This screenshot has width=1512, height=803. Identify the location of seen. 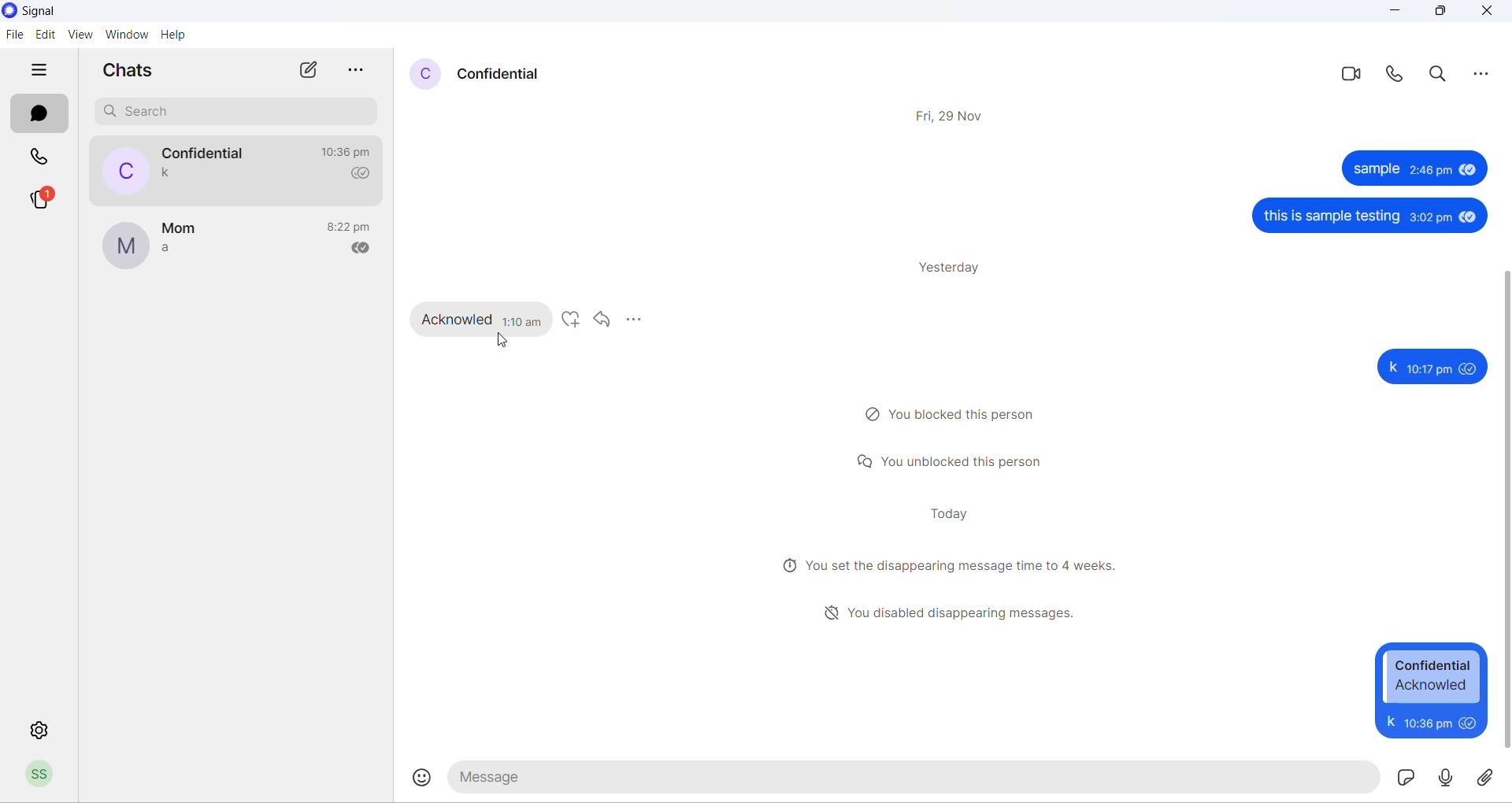
(1472, 723).